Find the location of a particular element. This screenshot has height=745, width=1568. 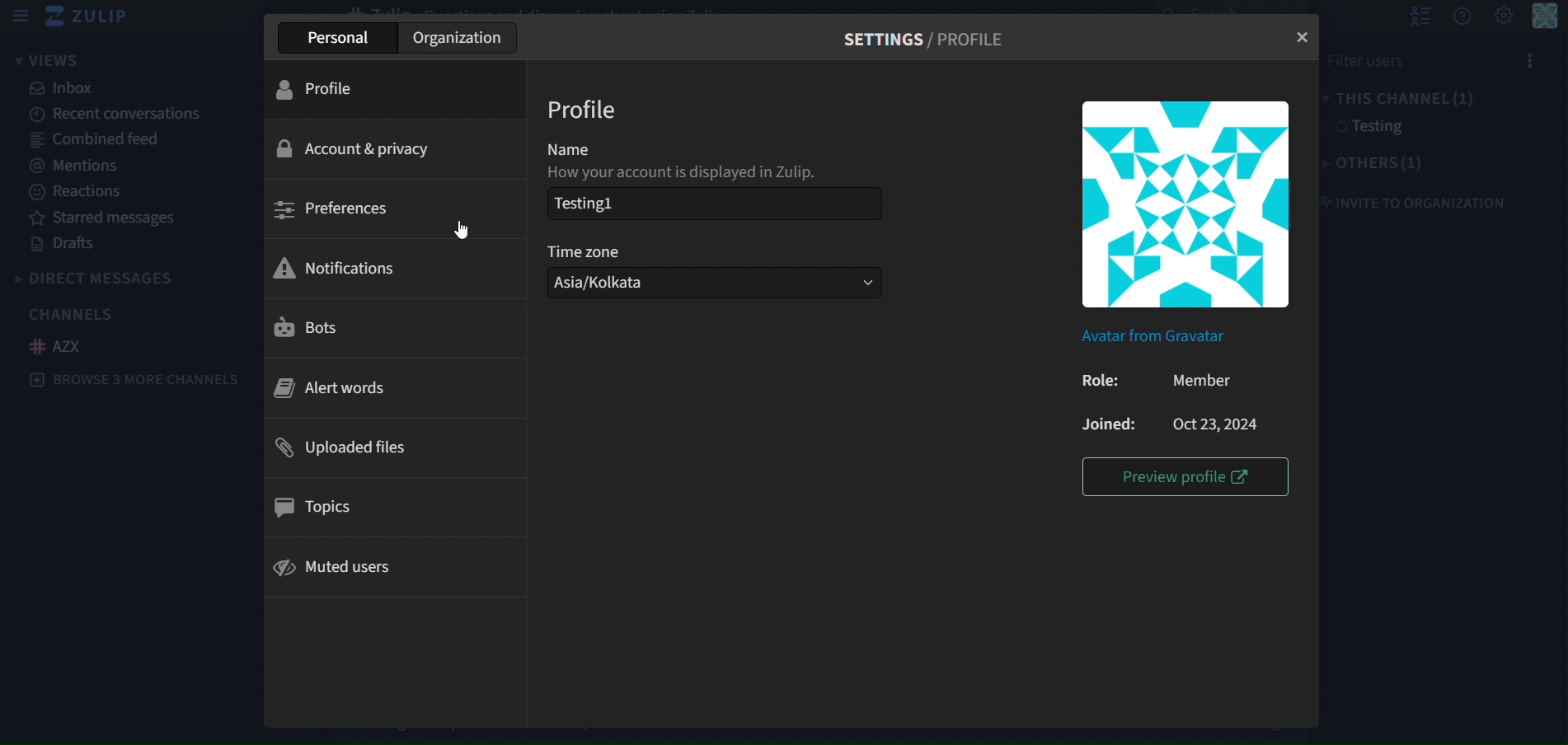

preferences is located at coordinates (336, 211).